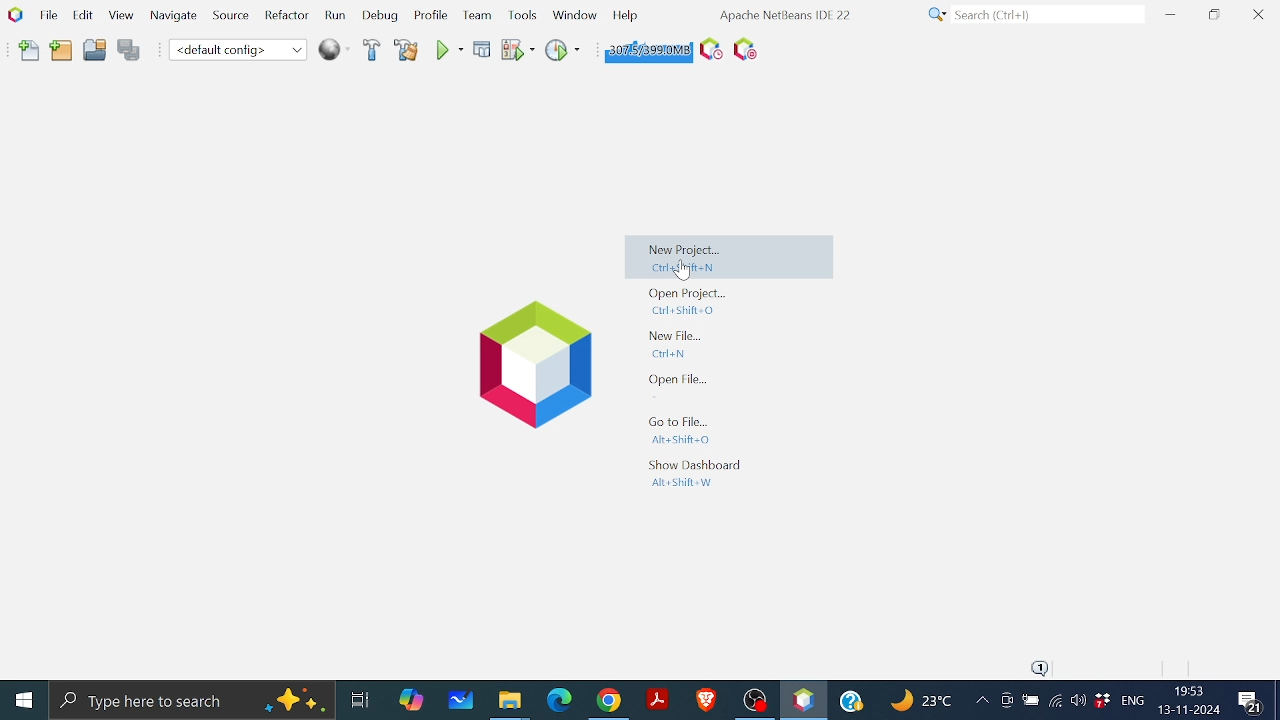 The height and width of the screenshot is (720, 1280). Describe the element at coordinates (657, 699) in the screenshot. I see `Adobe reader` at that location.